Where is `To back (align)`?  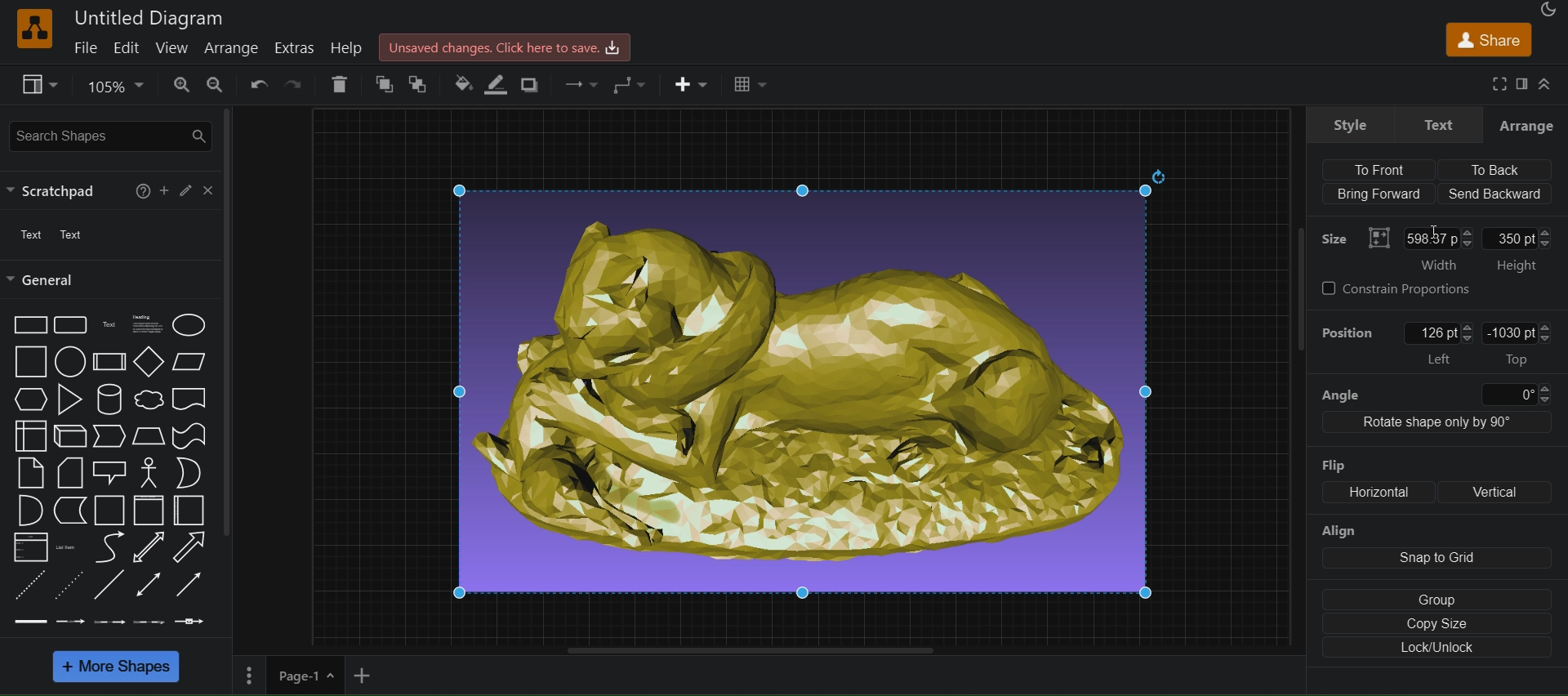
To back (align) is located at coordinates (1499, 170).